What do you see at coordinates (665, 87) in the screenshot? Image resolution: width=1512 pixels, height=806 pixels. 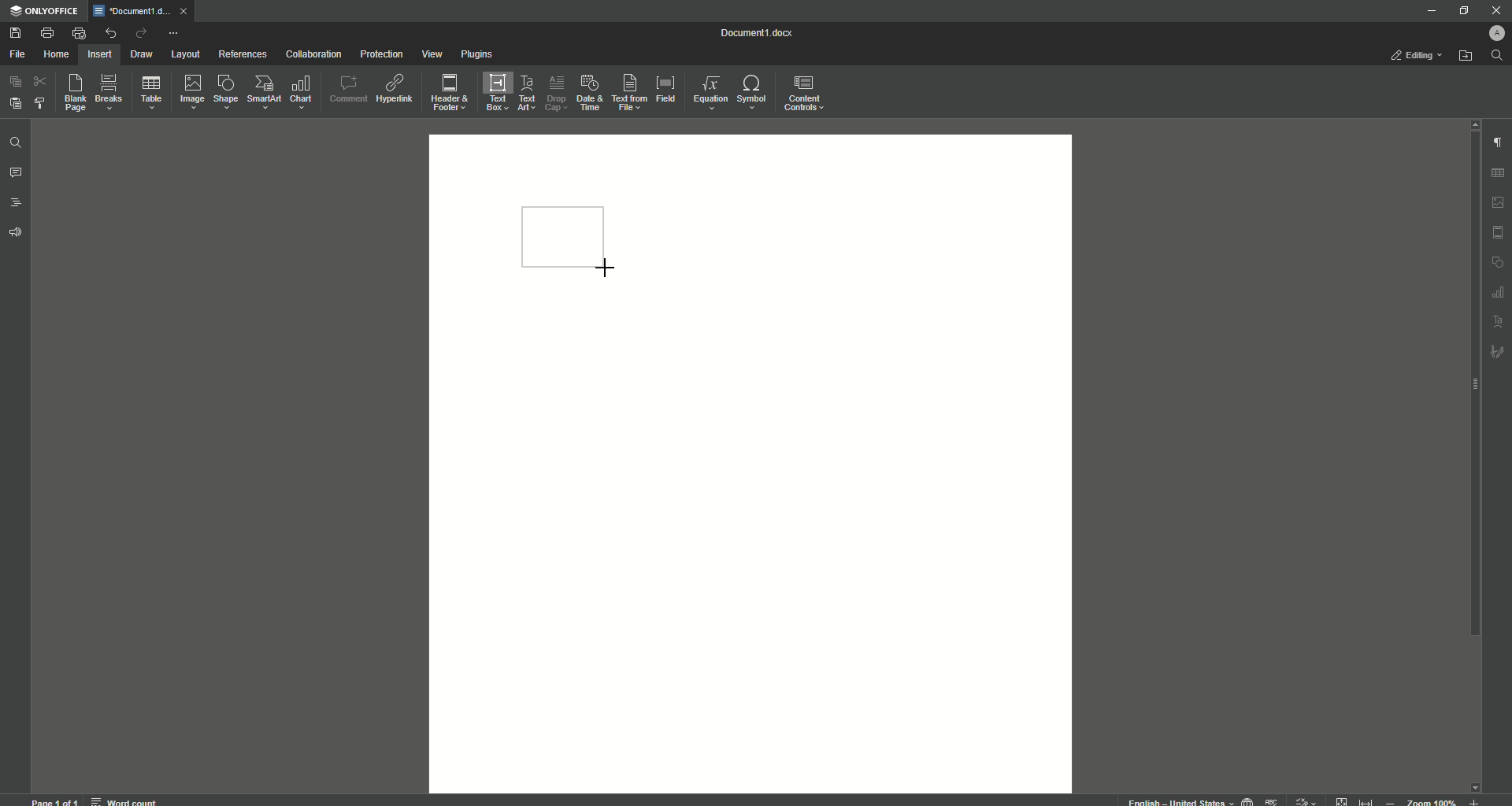 I see `Field` at bounding box center [665, 87].